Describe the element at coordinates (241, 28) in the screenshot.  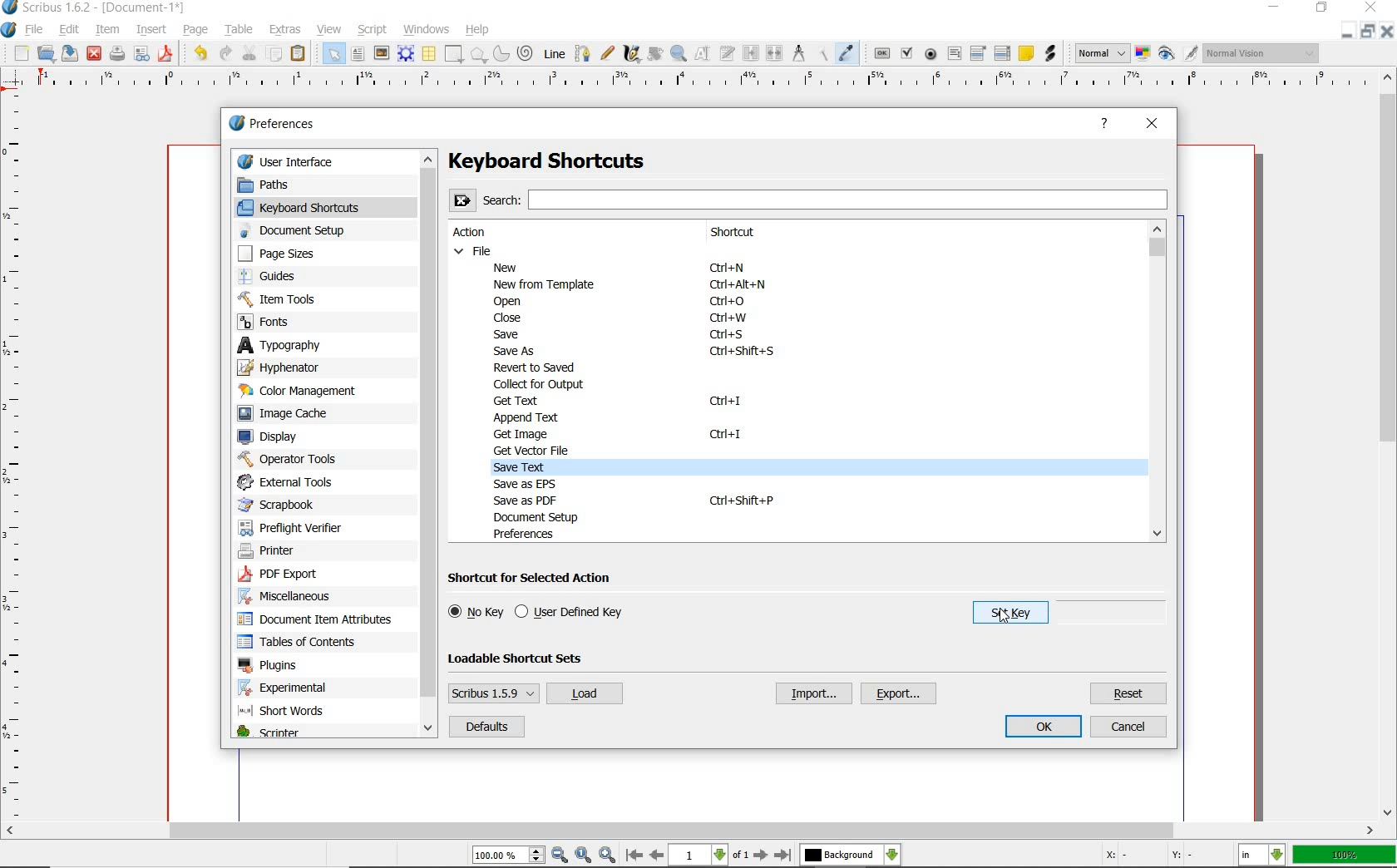
I see `table` at that location.